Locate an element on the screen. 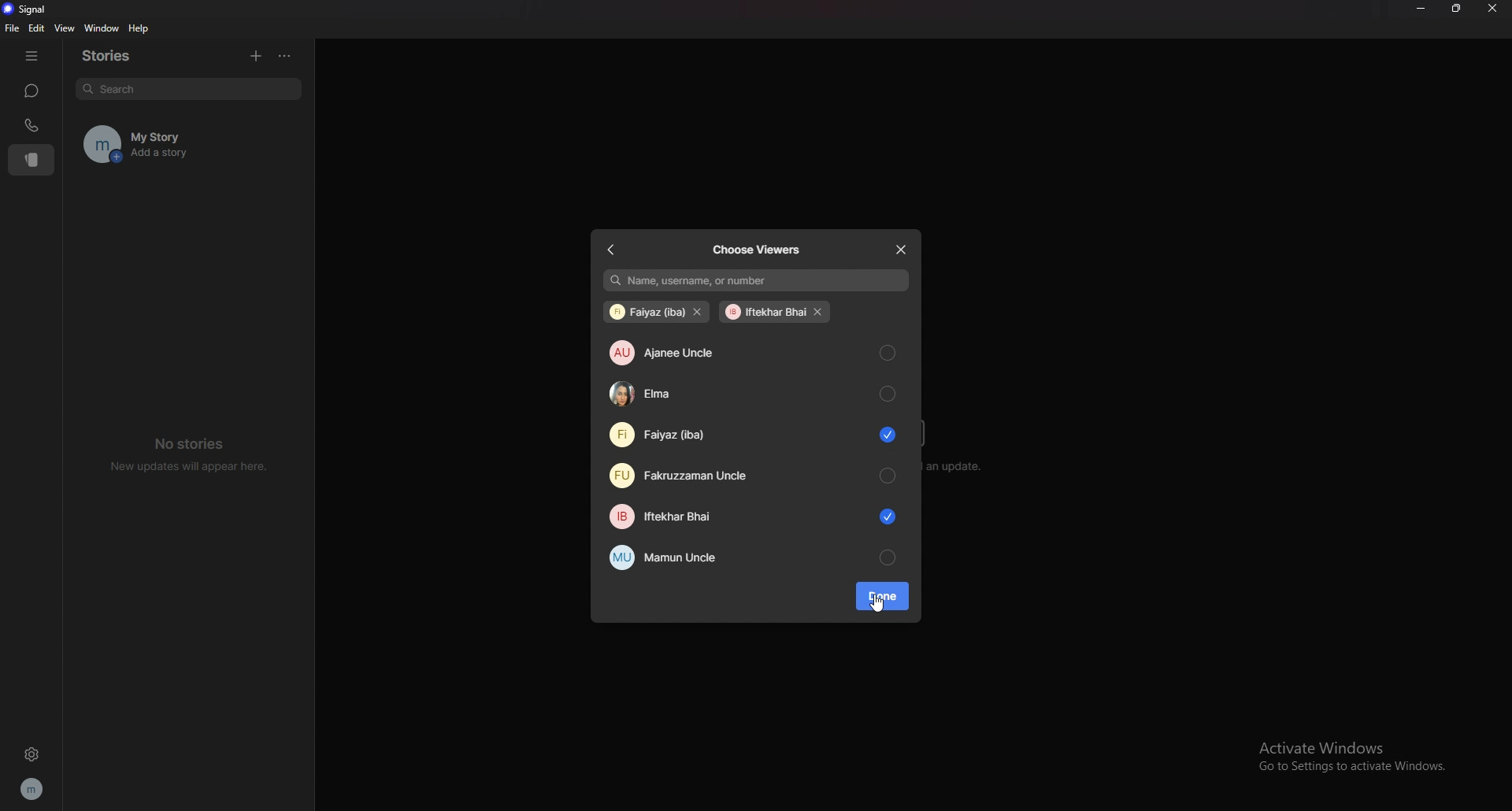 This screenshot has height=811, width=1512. close is located at coordinates (1492, 9).